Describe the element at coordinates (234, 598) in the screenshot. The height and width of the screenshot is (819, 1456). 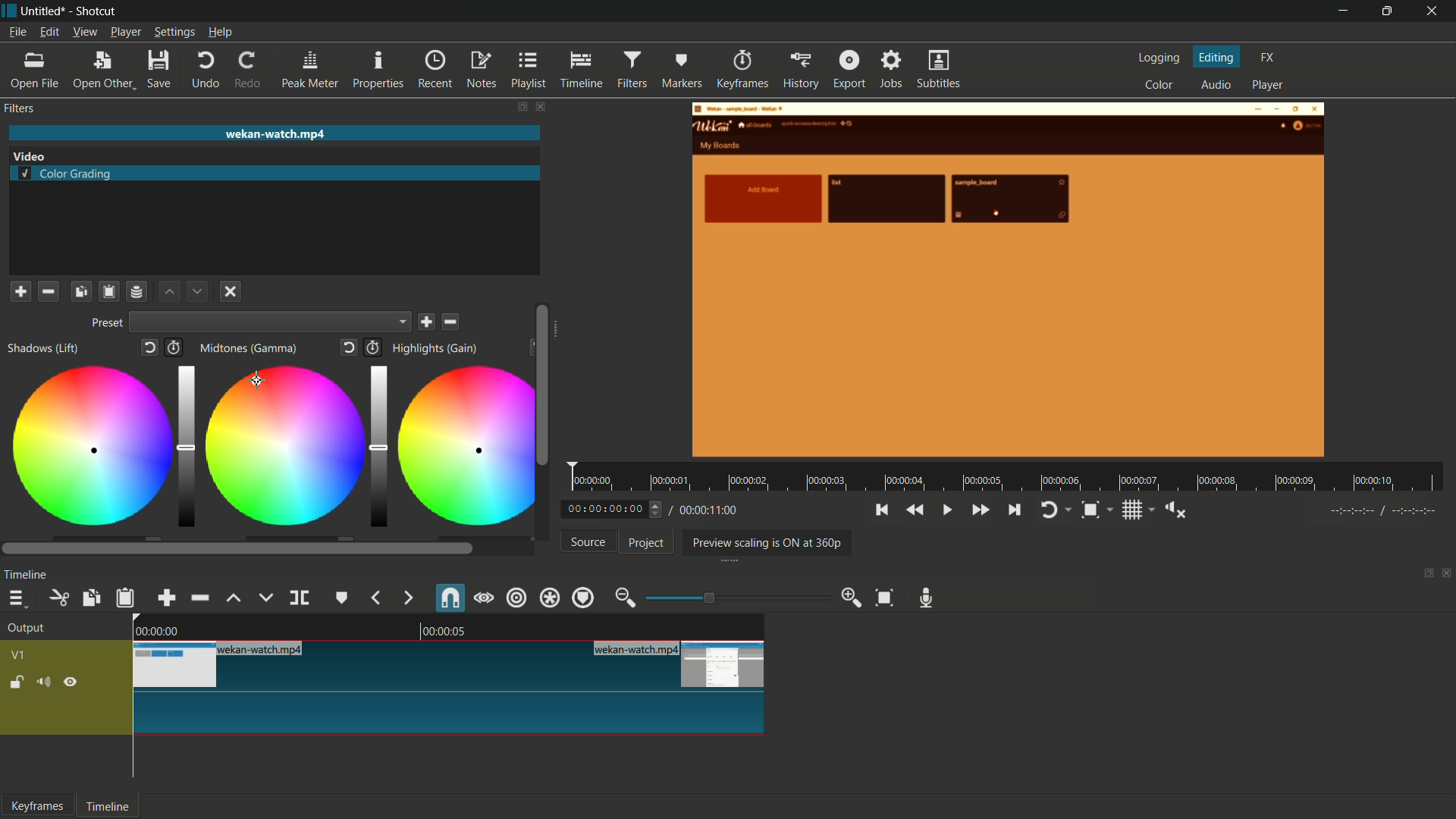
I see `lift` at that location.